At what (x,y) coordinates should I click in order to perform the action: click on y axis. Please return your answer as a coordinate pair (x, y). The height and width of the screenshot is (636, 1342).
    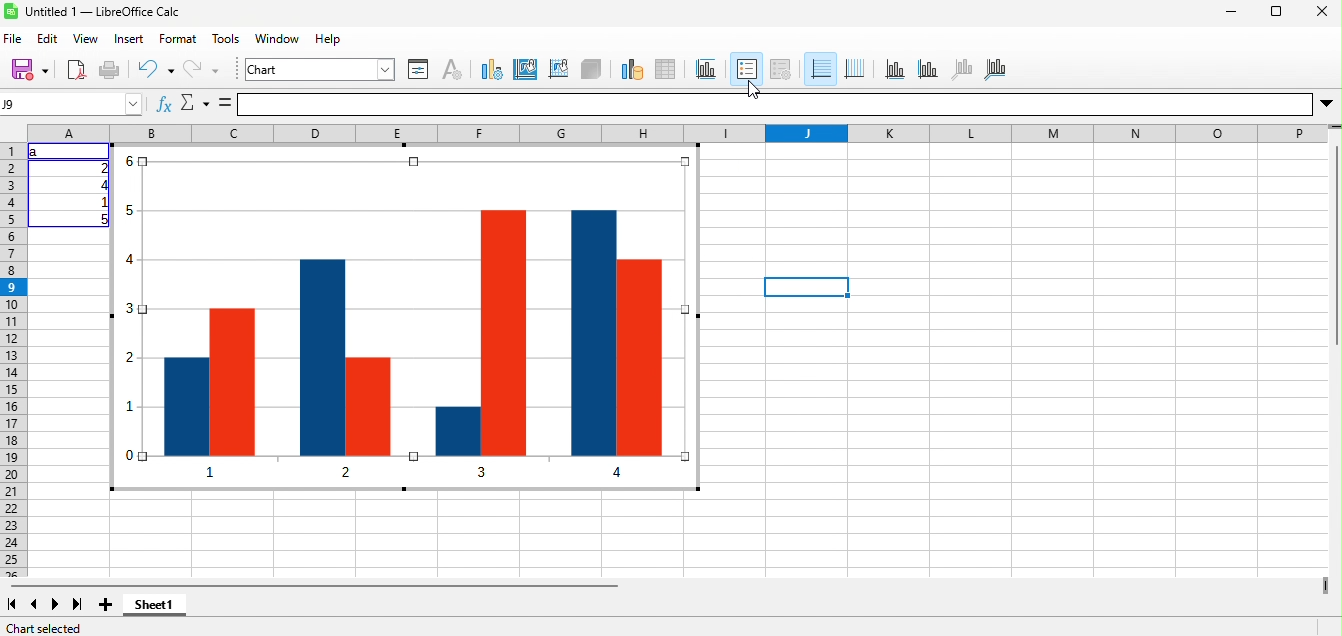
    Looking at the image, I should click on (928, 70).